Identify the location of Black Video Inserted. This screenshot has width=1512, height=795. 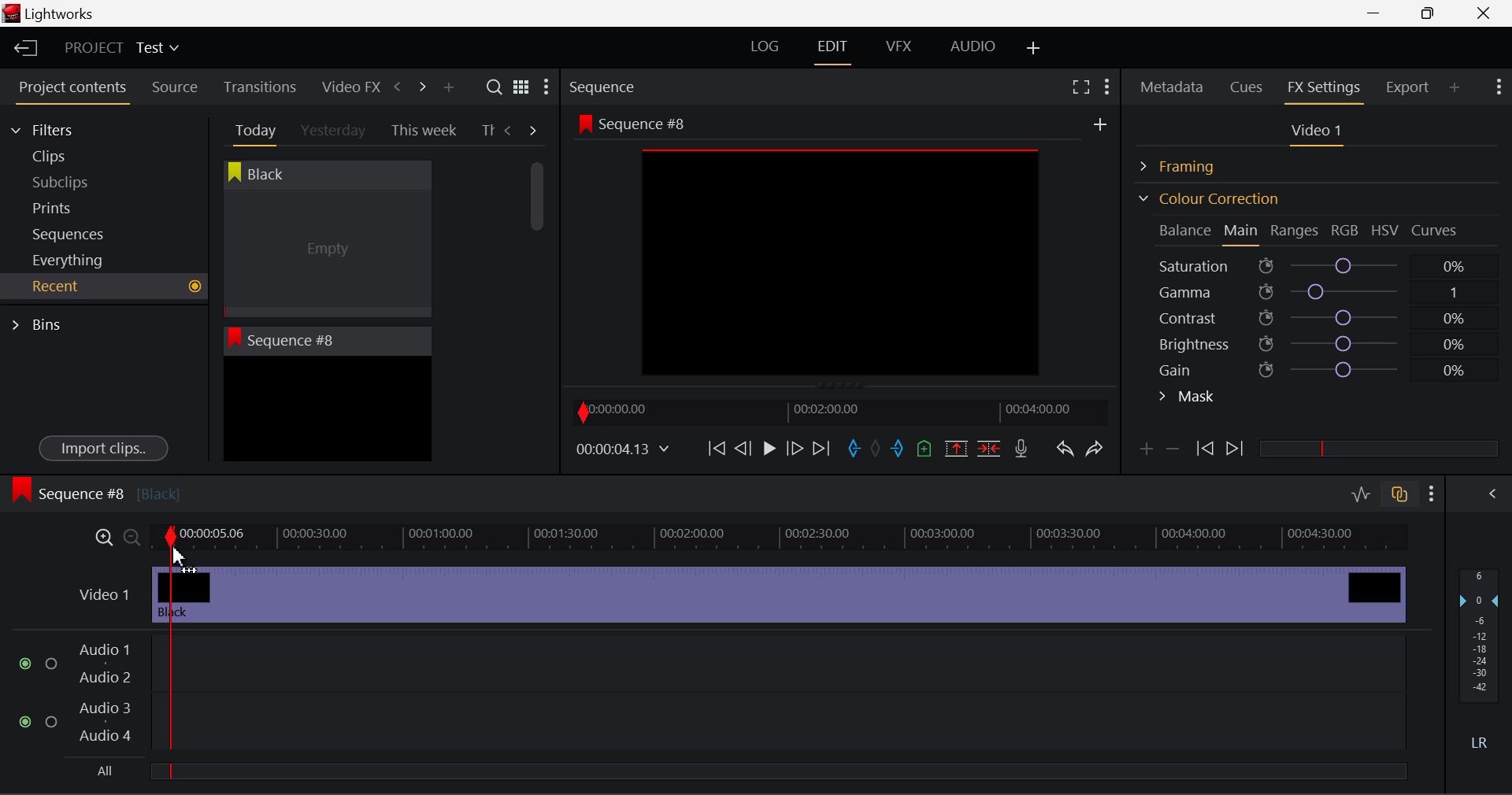
(779, 593).